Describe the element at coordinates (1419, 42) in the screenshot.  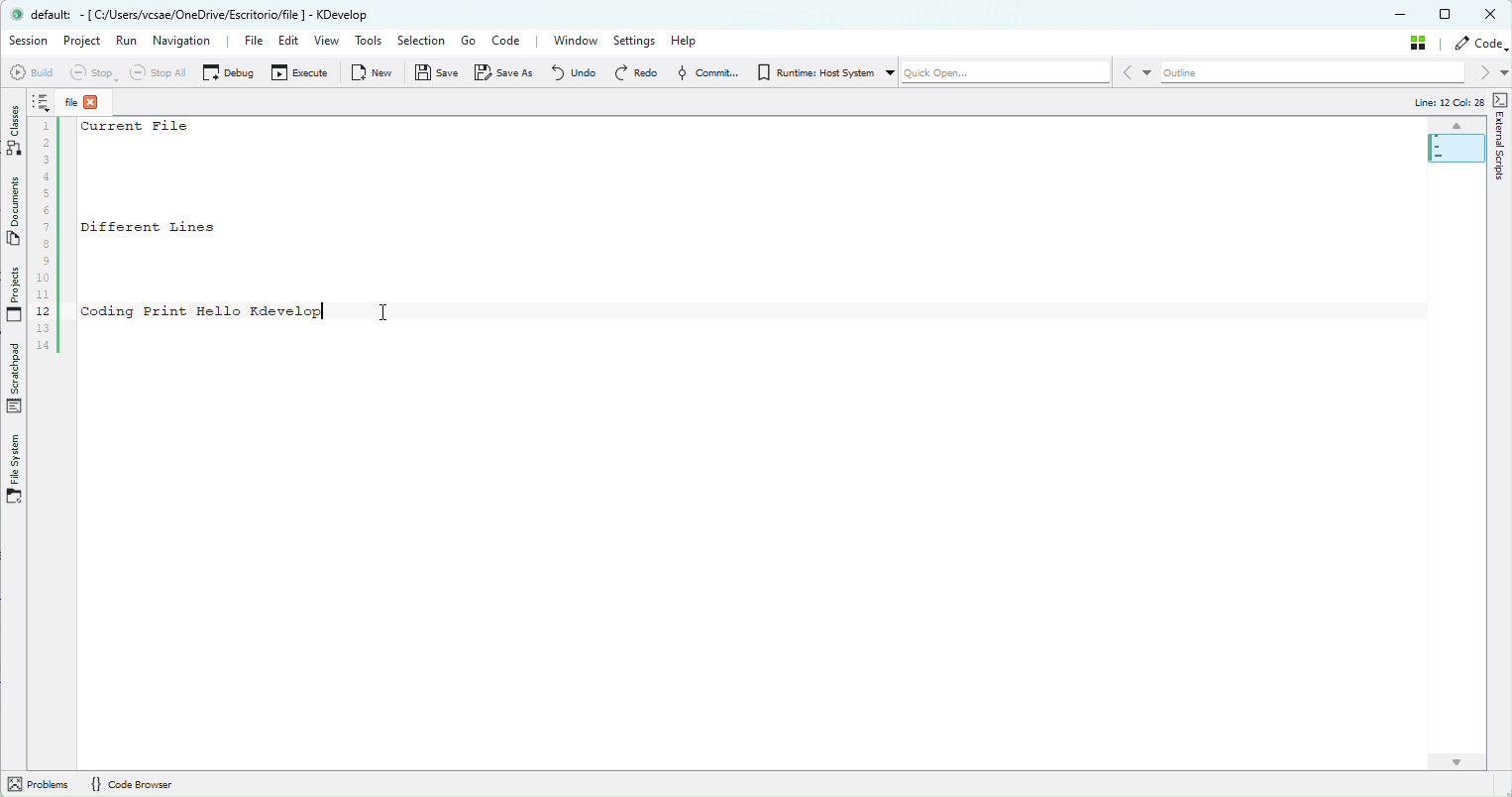
I see `Stash` at that location.